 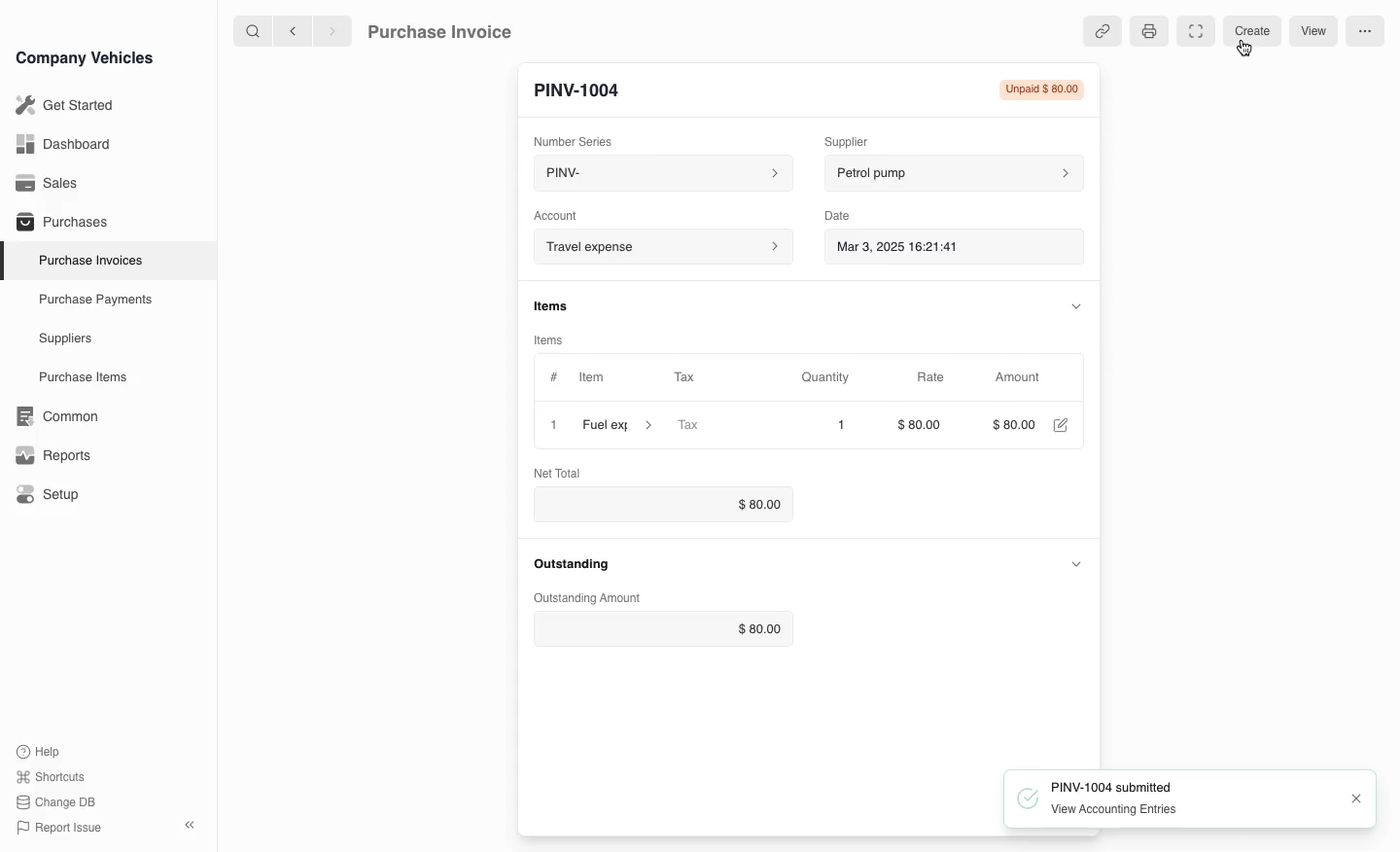 What do you see at coordinates (52, 778) in the screenshot?
I see `Shortcuts` at bounding box center [52, 778].